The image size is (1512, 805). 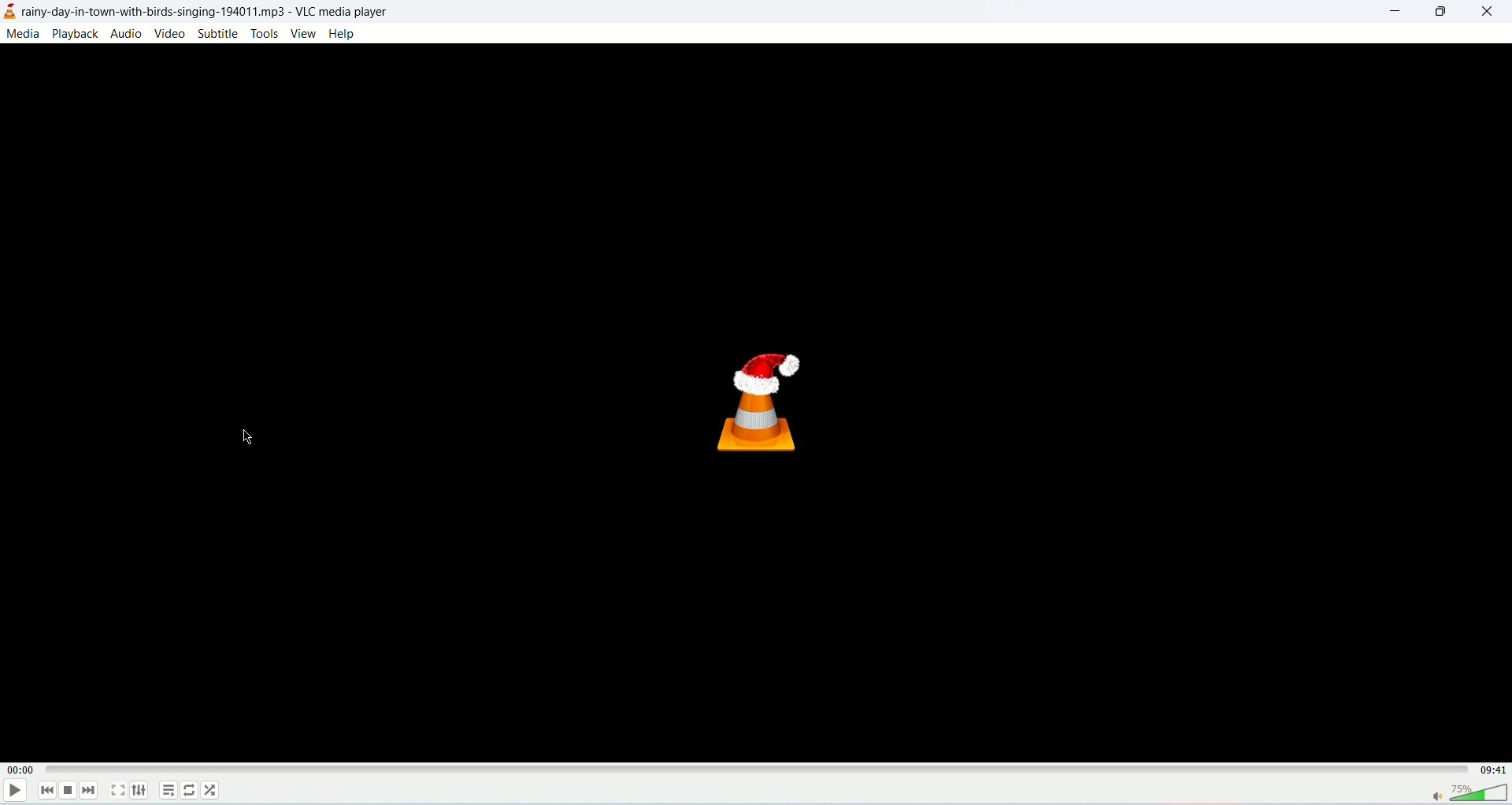 What do you see at coordinates (13, 793) in the screenshot?
I see `play/pause` at bounding box center [13, 793].